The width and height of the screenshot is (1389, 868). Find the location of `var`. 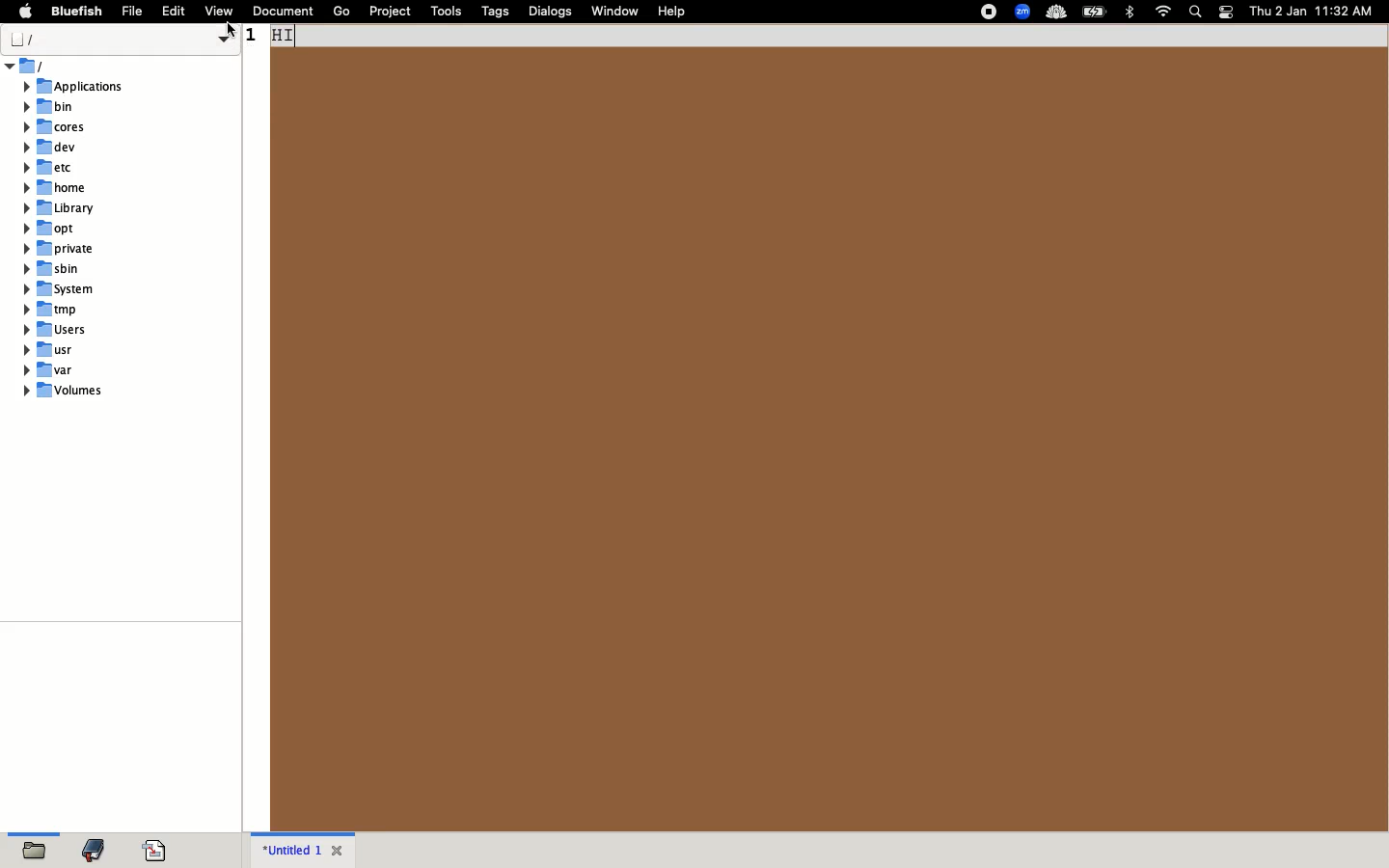

var is located at coordinates (50, 369).